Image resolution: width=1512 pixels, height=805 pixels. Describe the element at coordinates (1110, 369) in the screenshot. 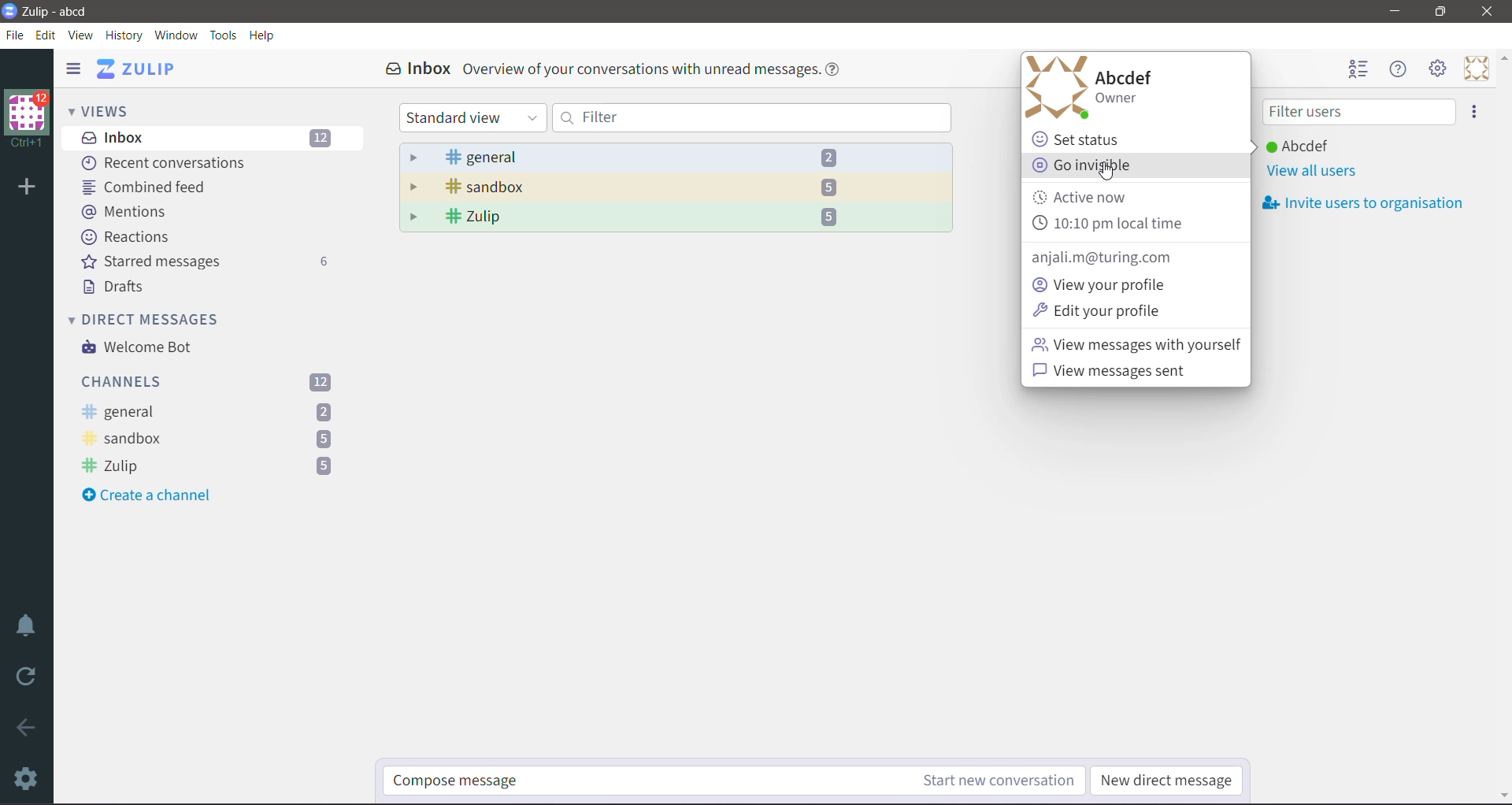

I see `View messages sent` at that location.